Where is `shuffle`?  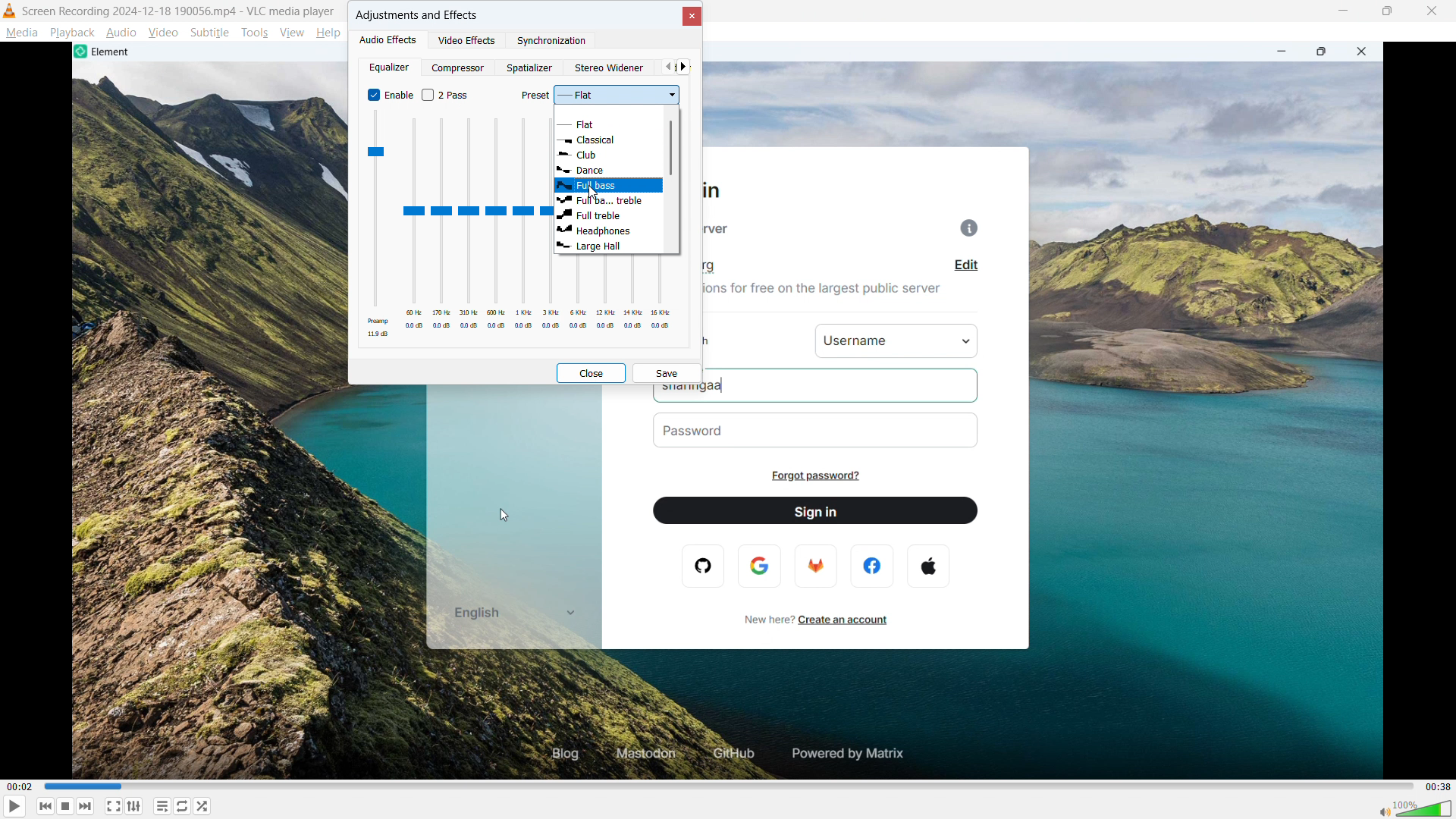
shuffle is located at coordinates (207, 806).